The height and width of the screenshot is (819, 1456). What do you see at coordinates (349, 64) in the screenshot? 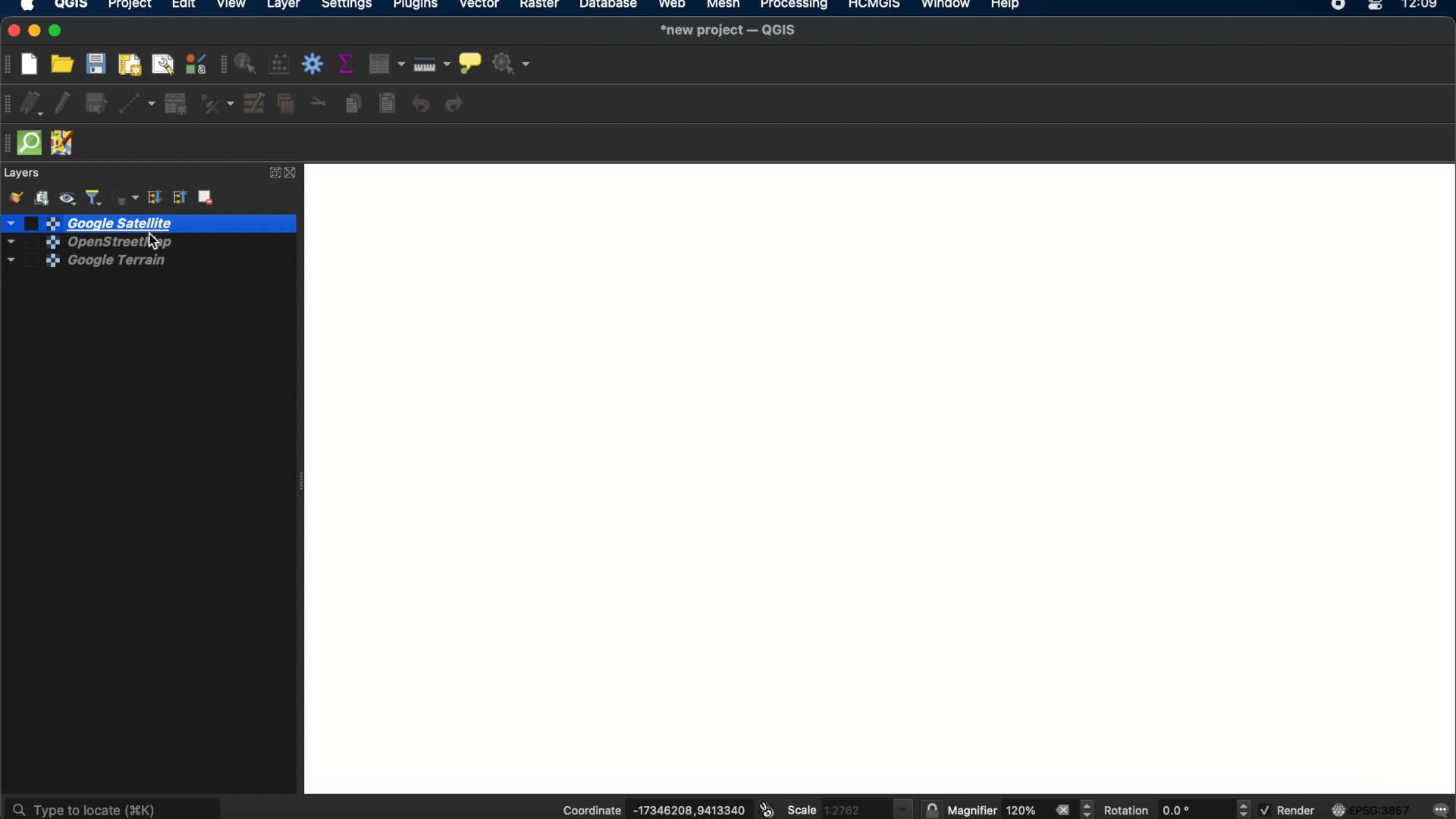
I see `show summary statistics` at bounding box center [349, 64].